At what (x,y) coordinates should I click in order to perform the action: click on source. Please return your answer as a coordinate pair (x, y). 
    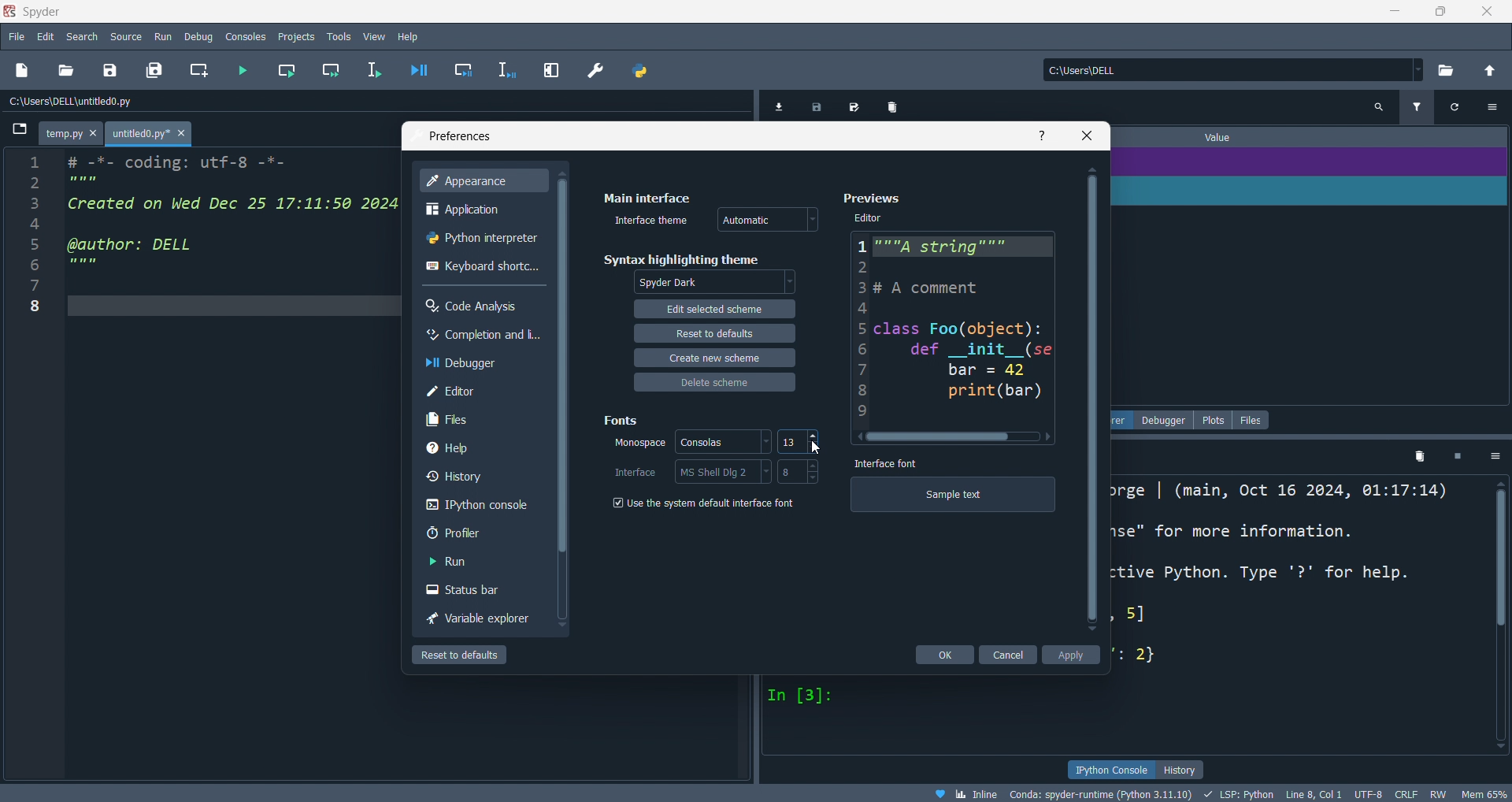
    Looking at the image, I should click on (126, 36).